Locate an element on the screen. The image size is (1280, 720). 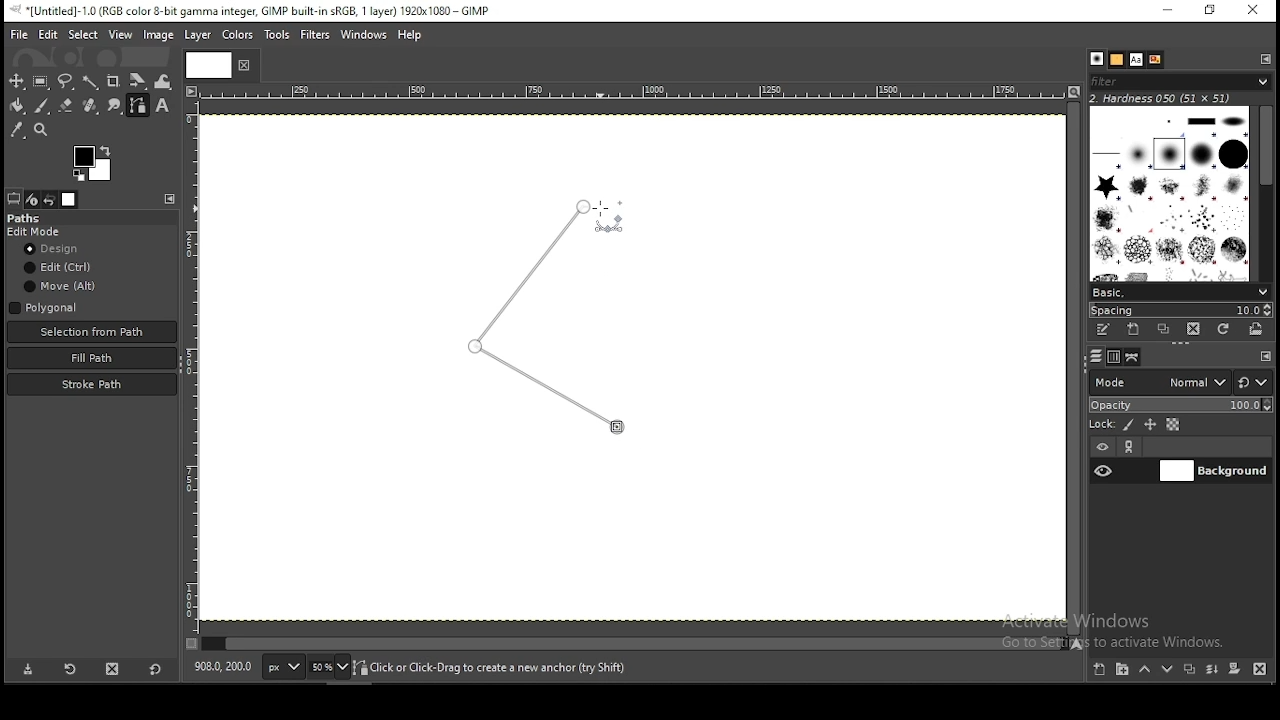
duplicate this brush is located at coordinates (1164, 329).